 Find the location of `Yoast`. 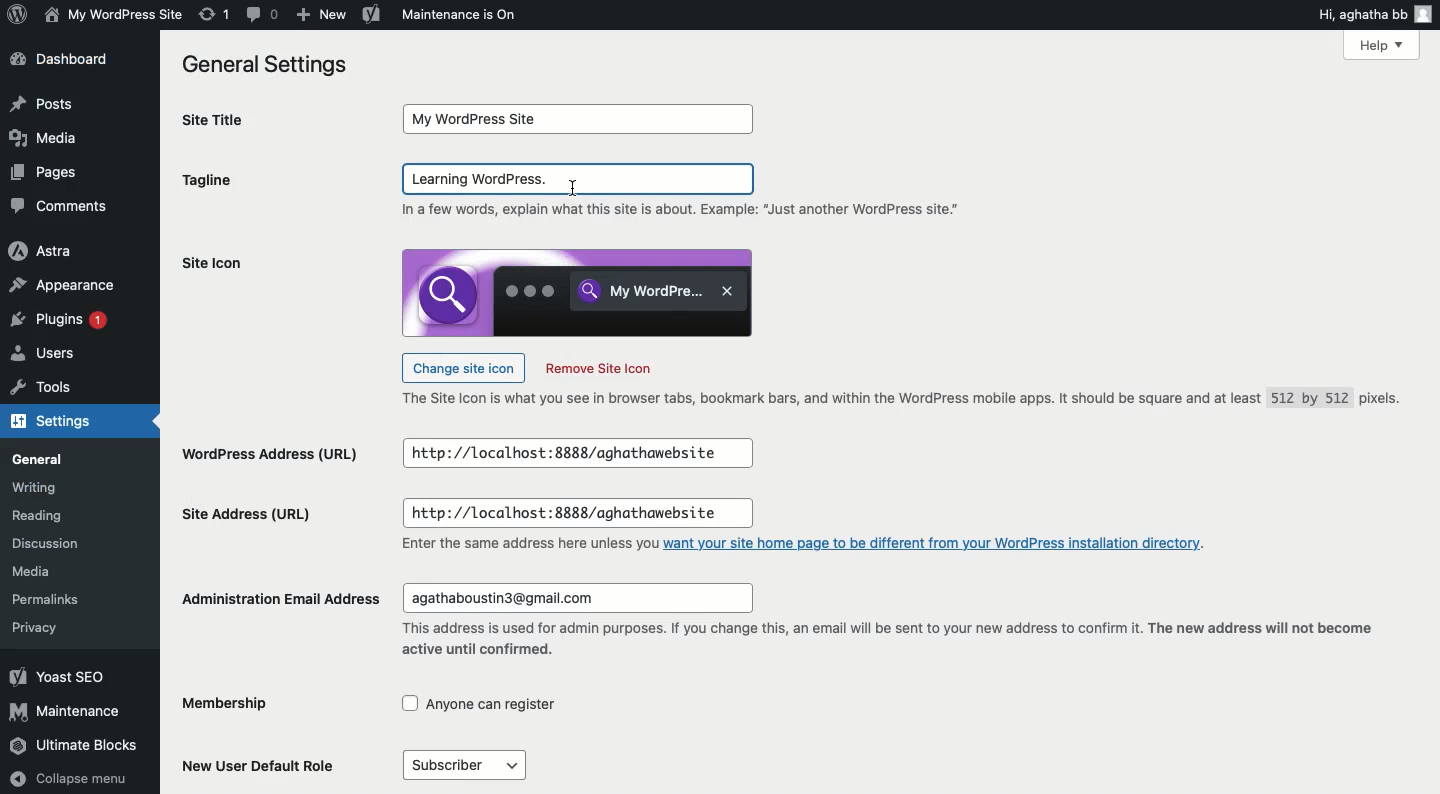

Yoast is located at coordinates (57, 676).